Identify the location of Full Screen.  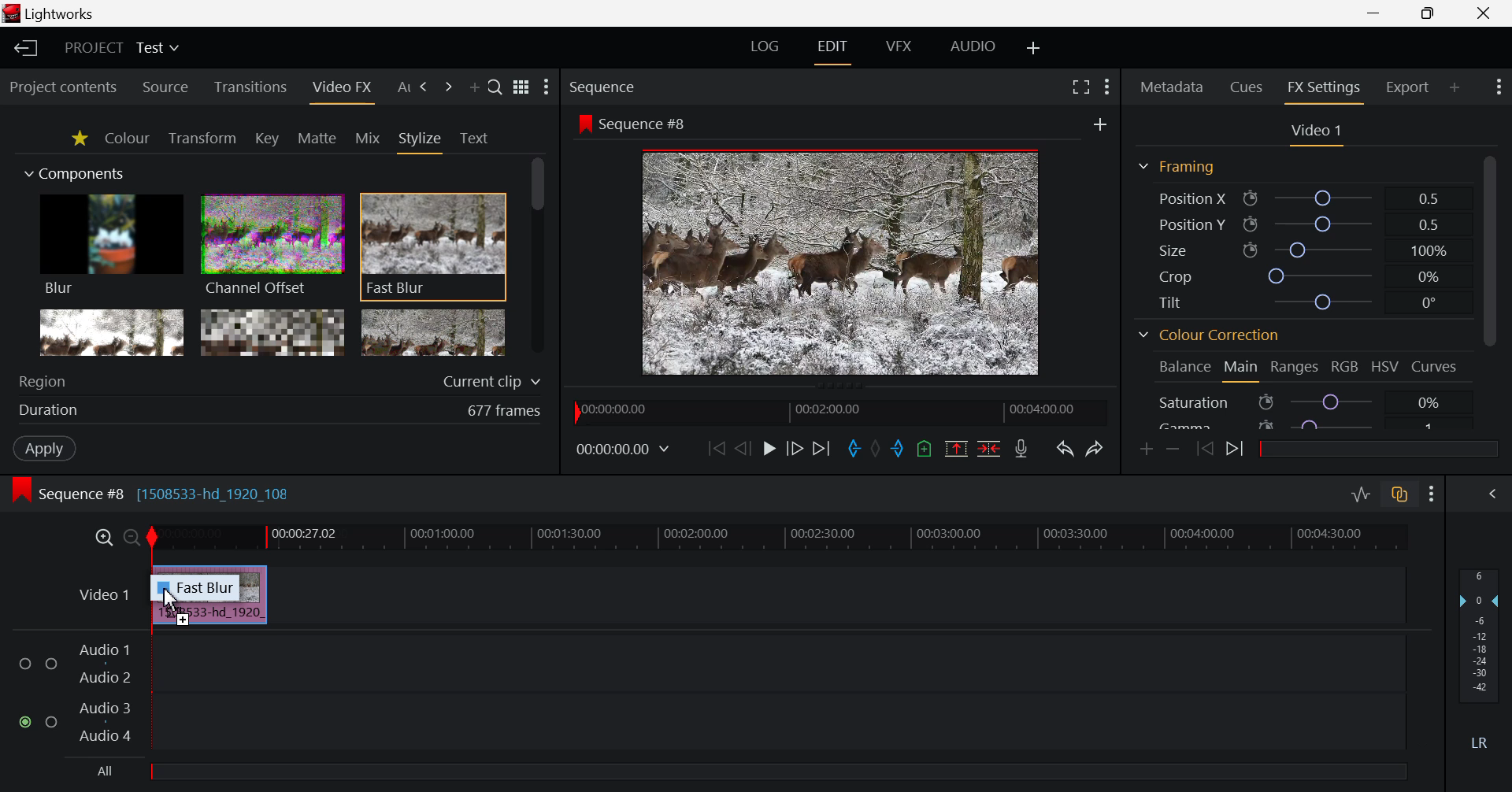
(1080, 89).